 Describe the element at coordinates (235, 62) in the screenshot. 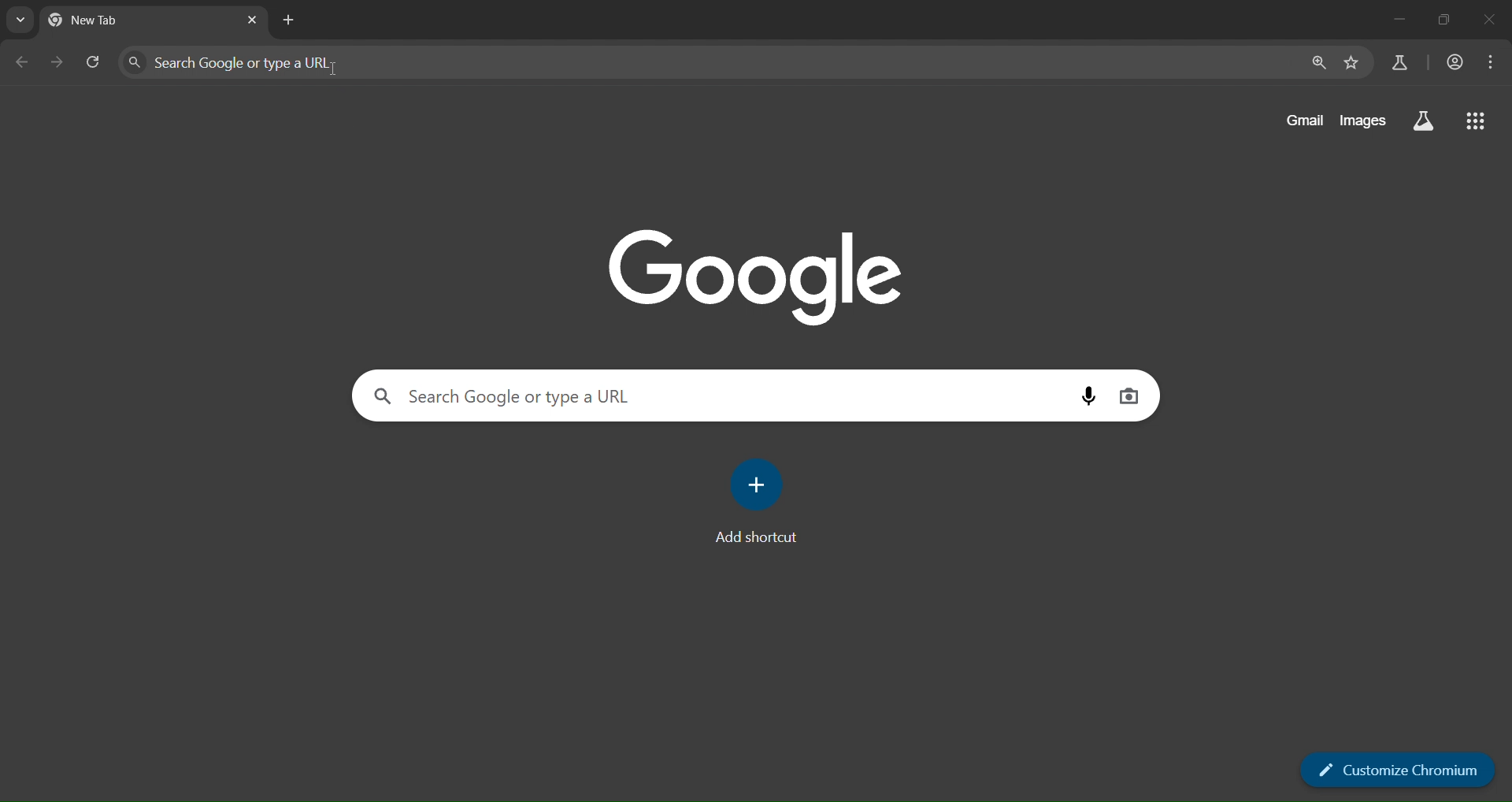

I see `Search Google or type a URL` at that location.